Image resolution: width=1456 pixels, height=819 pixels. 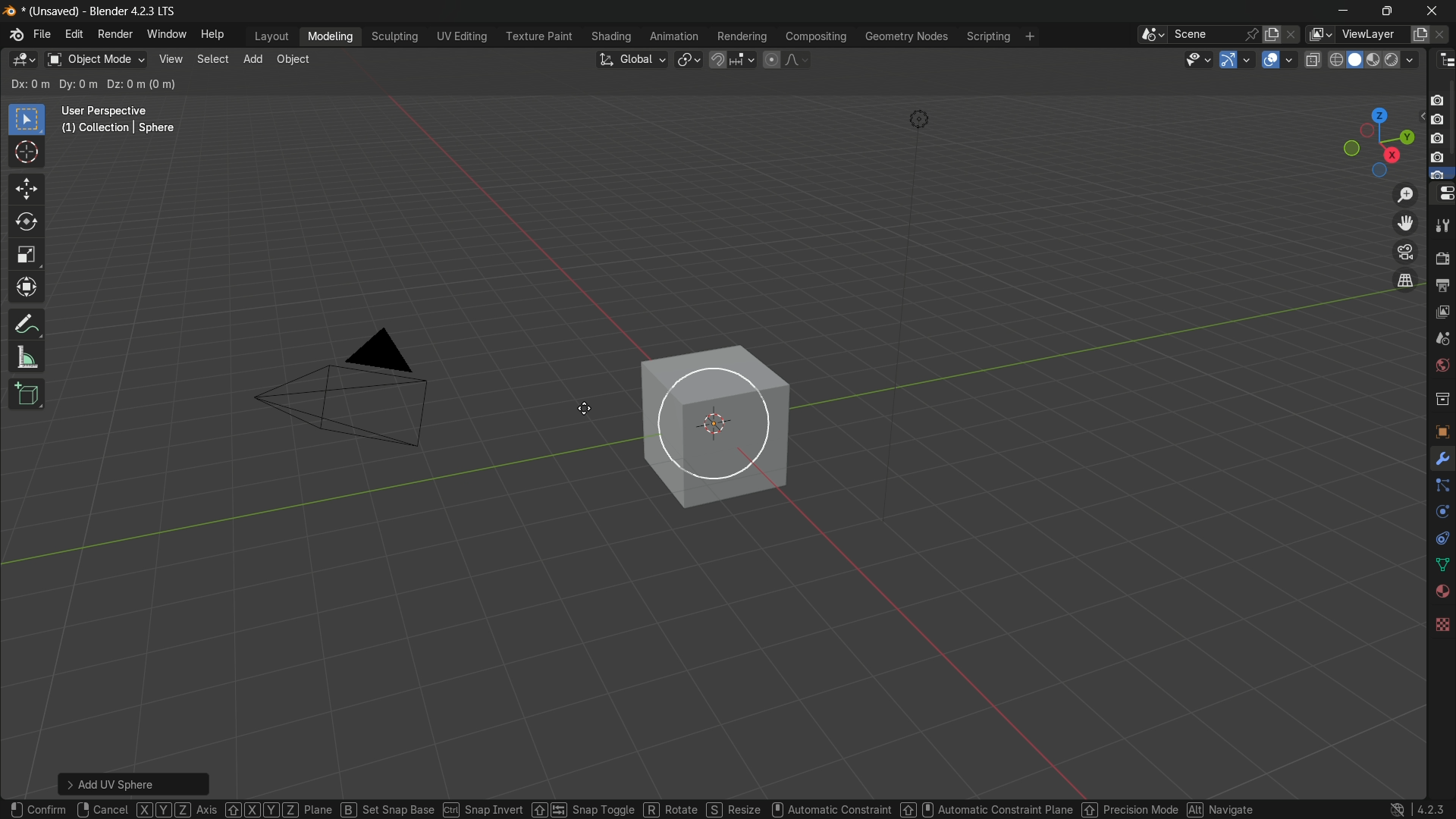 I want to click on Confirm, so click(x=36, y=809).